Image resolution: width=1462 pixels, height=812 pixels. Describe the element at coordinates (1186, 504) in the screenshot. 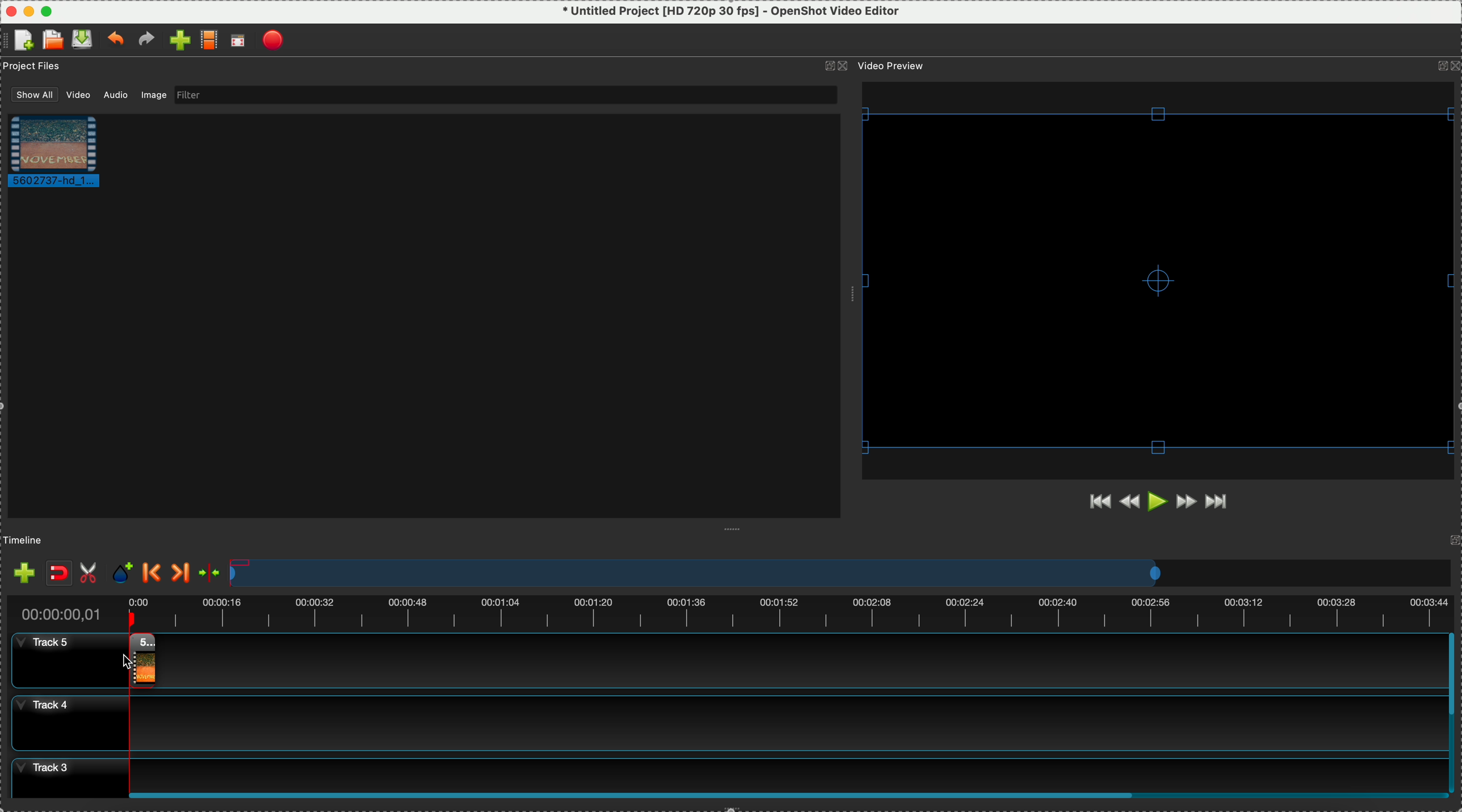

I see `fast forward` at that location.